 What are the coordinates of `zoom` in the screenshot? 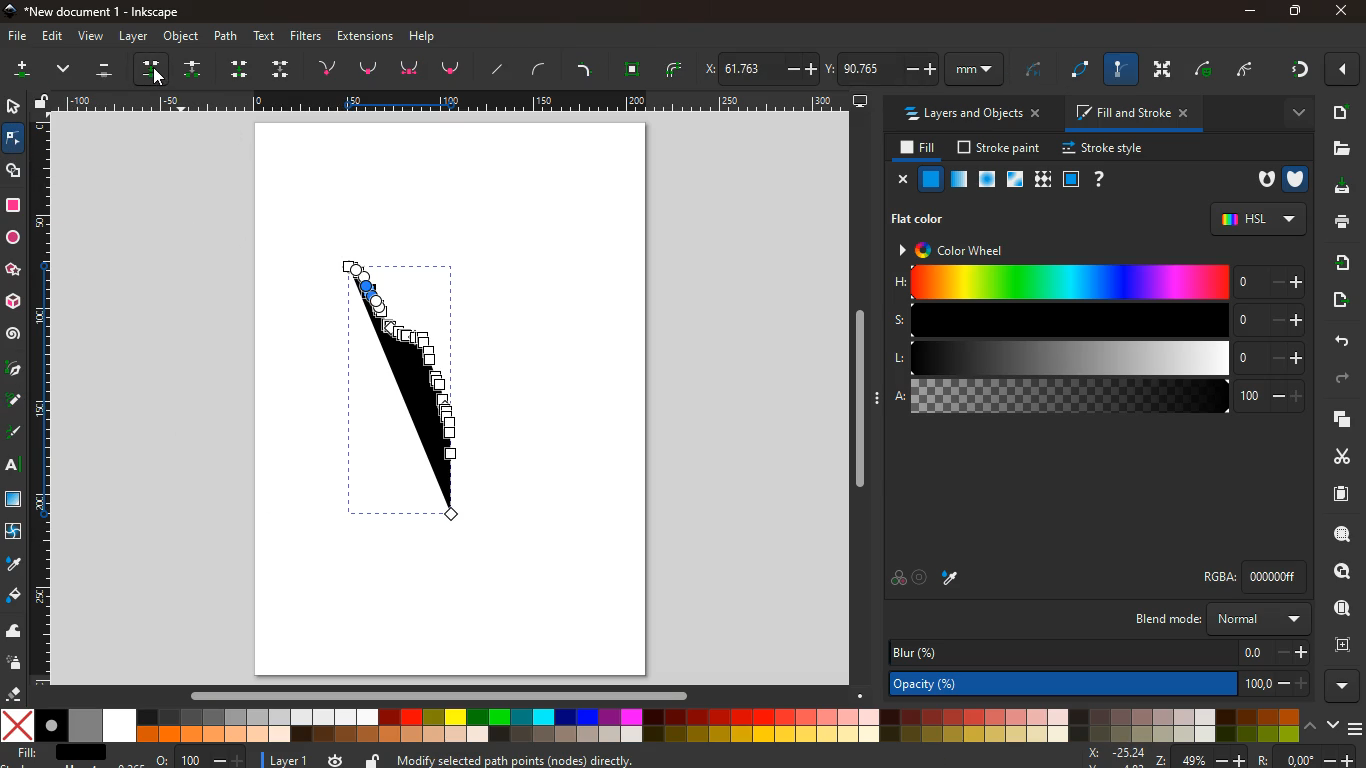 It's located at (201, 756).